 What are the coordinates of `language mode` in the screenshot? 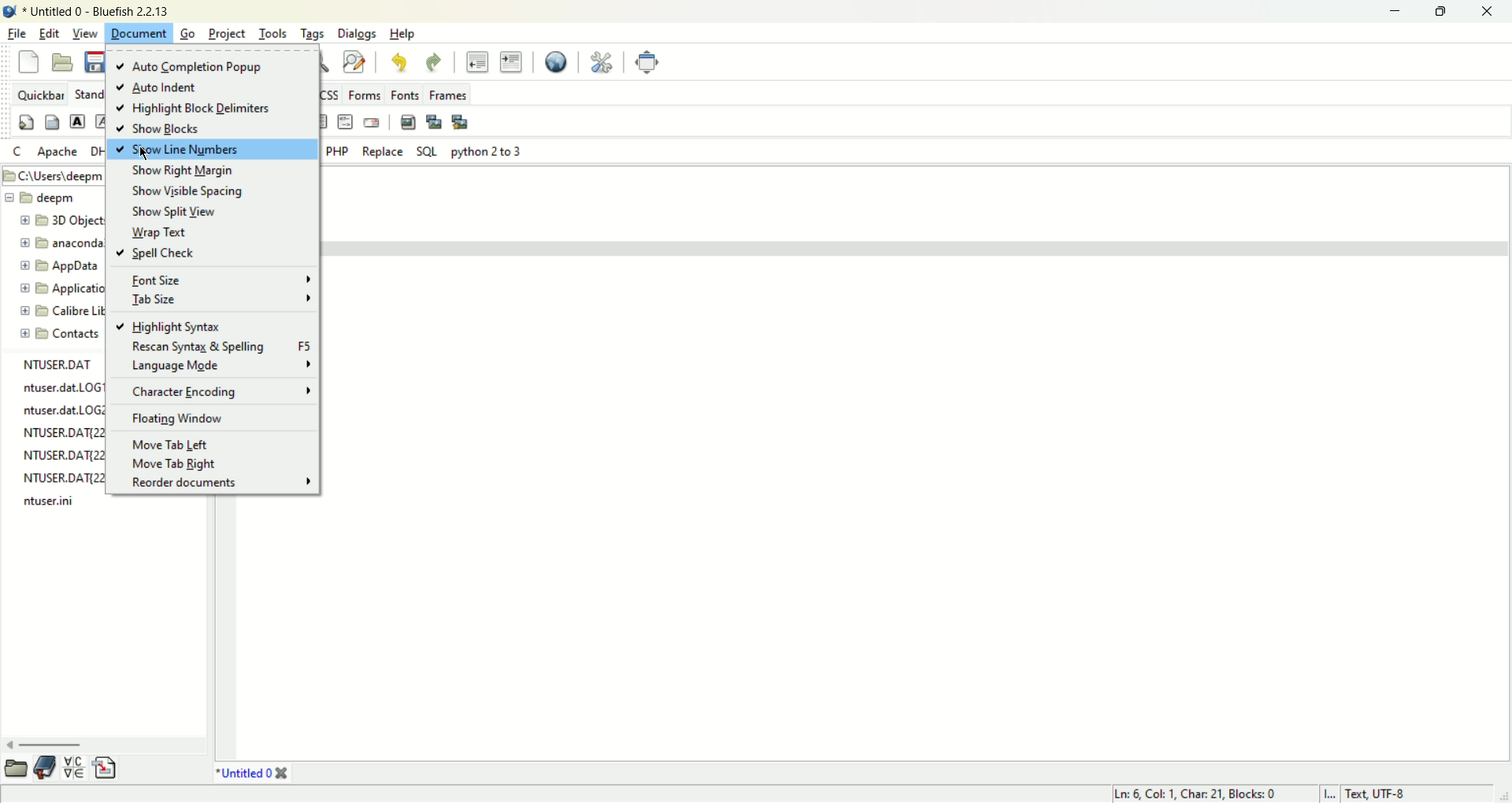 It's located at (221, 365).